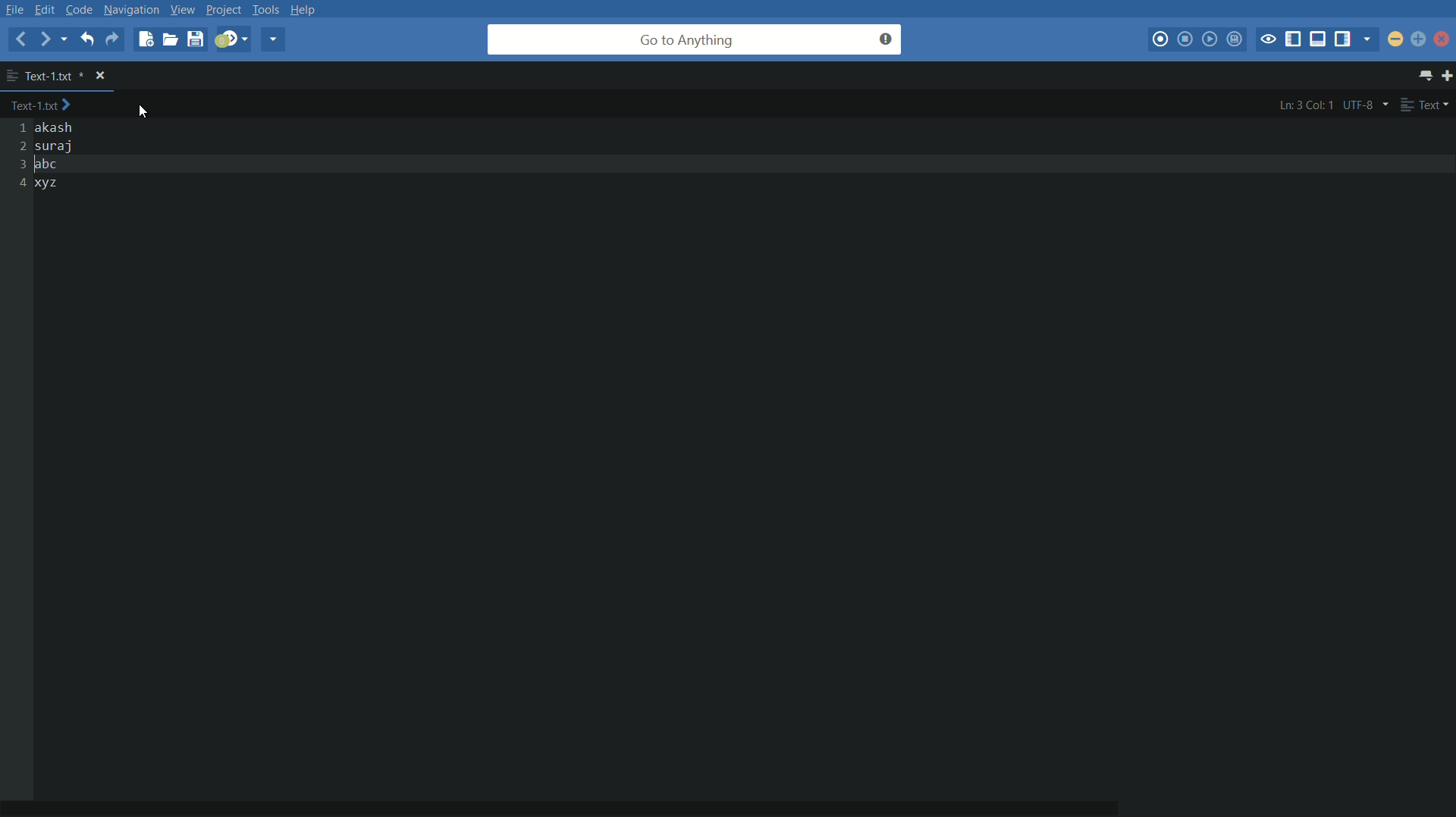 The width and height of the screenshot is (1456, 817). What do you see at coordinates (20, 39) in the screenshot?
I see `back` at bounding box center [20, 39].